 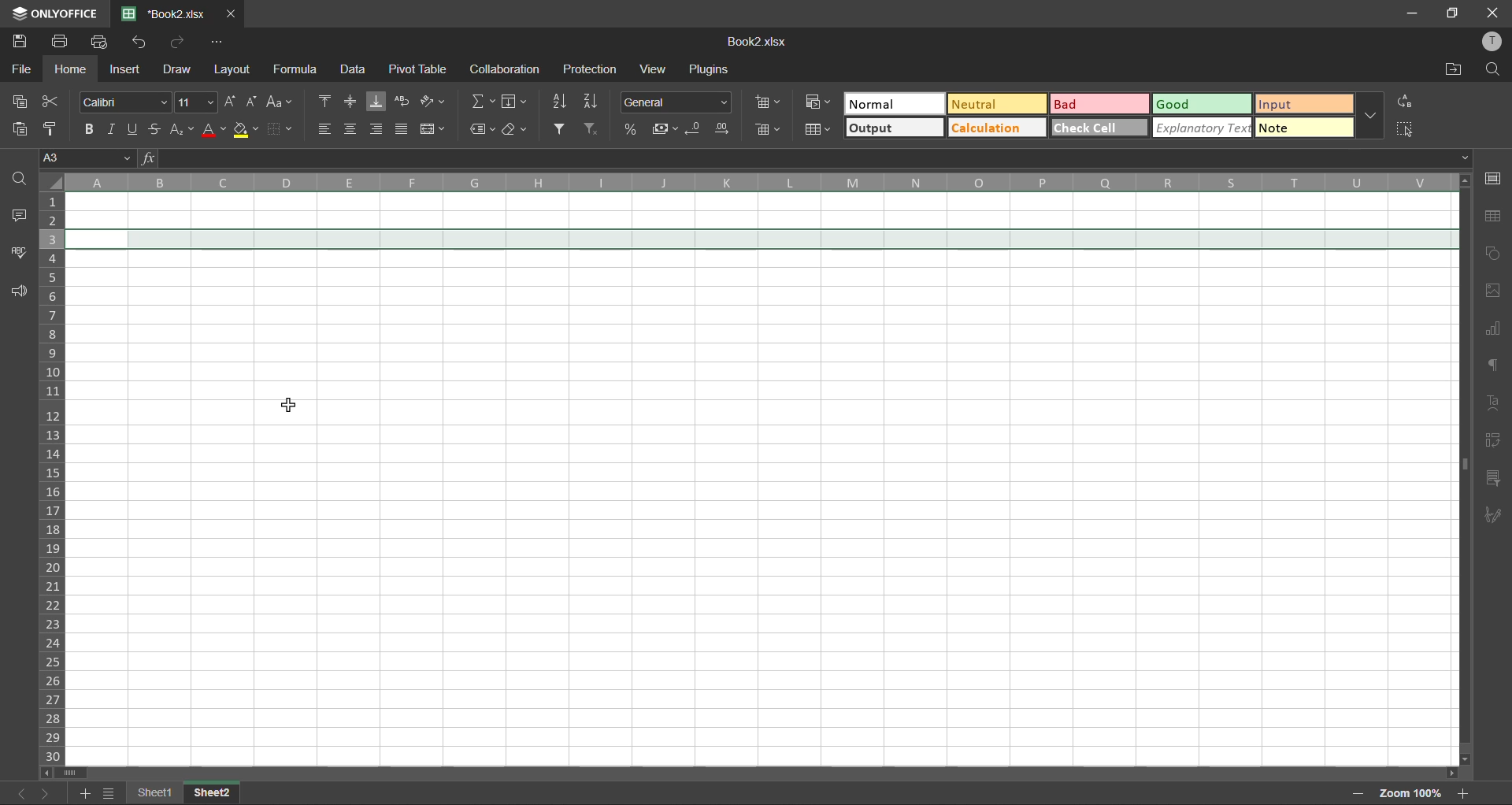 I want to click on cut, so click(x=54, y=99).